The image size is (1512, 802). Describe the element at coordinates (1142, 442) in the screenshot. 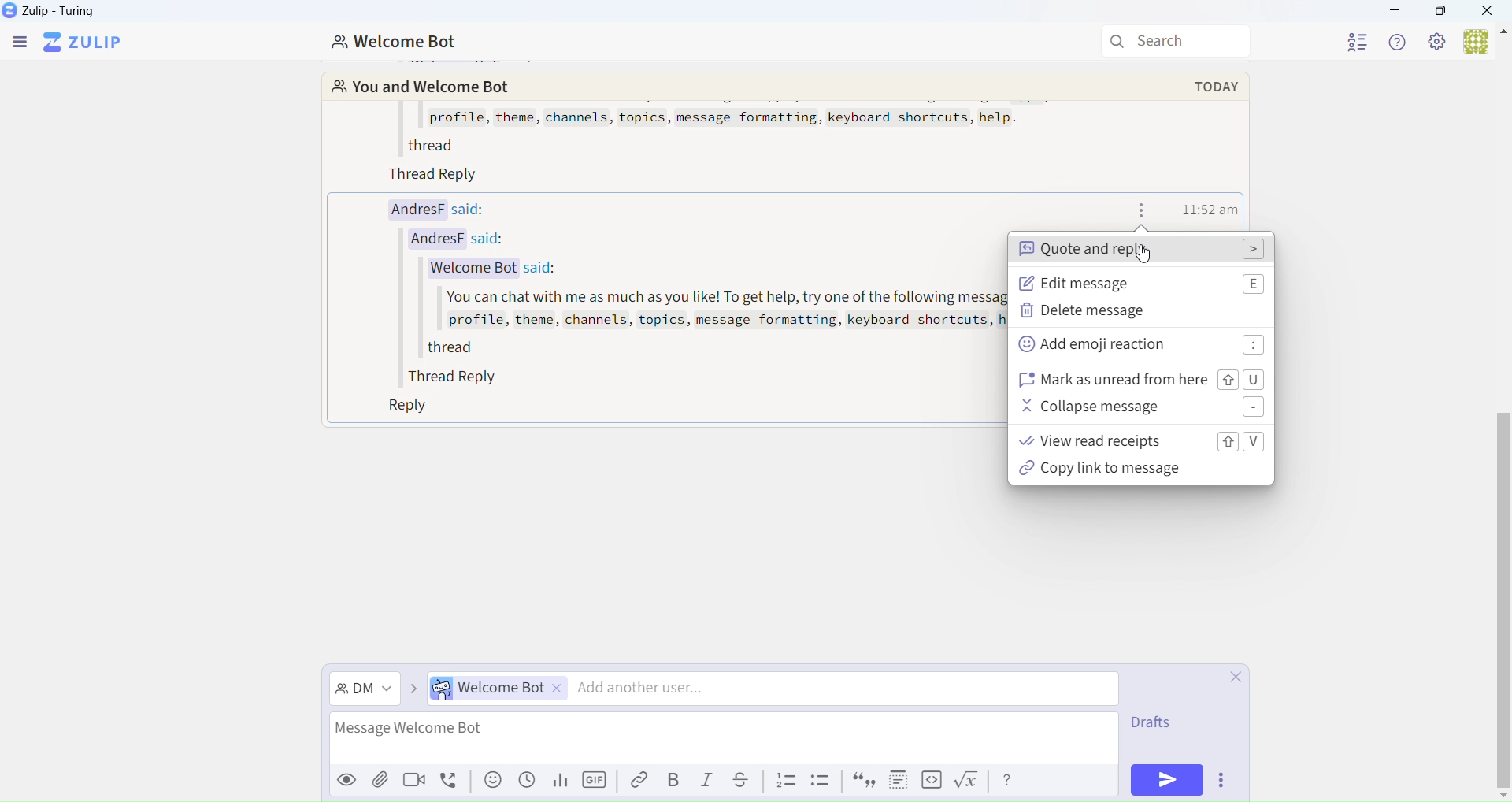

I see `view read recipts` at that location.